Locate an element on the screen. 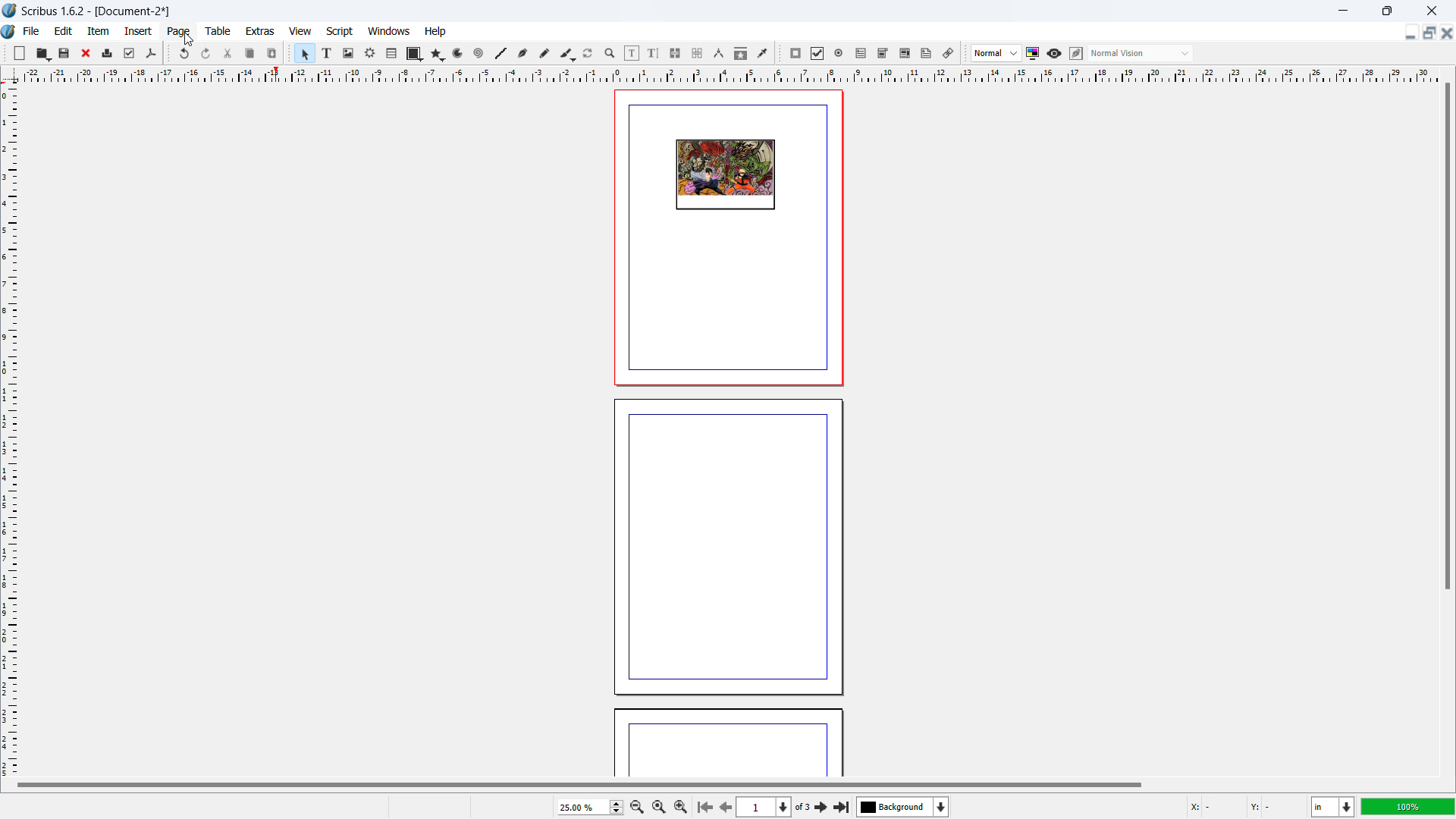 The image size is (1456, 819). page is located at coordinates (728, 745).